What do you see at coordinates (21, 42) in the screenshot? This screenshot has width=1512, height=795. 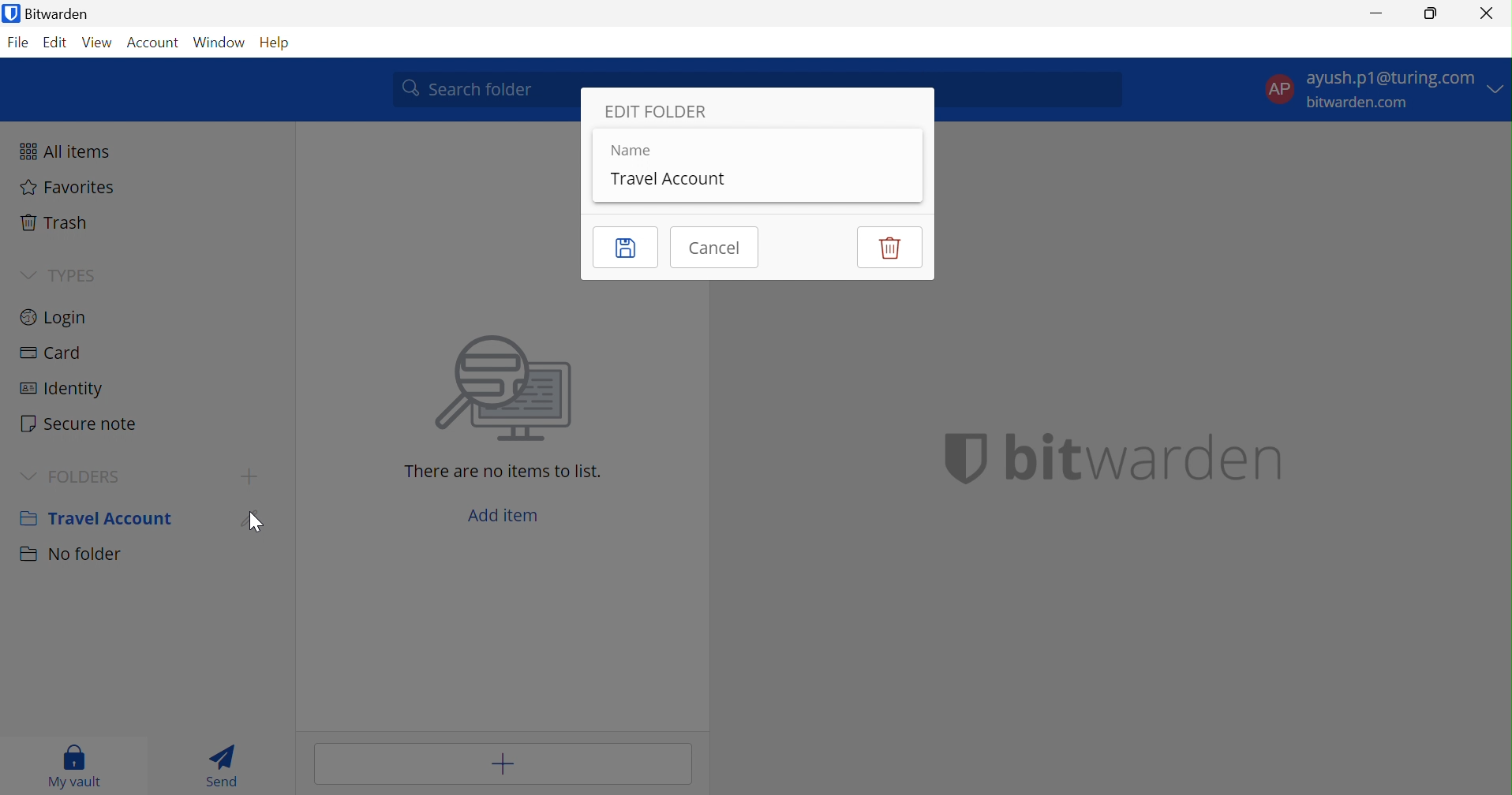 I see `File` at bounding box center [21, 42].